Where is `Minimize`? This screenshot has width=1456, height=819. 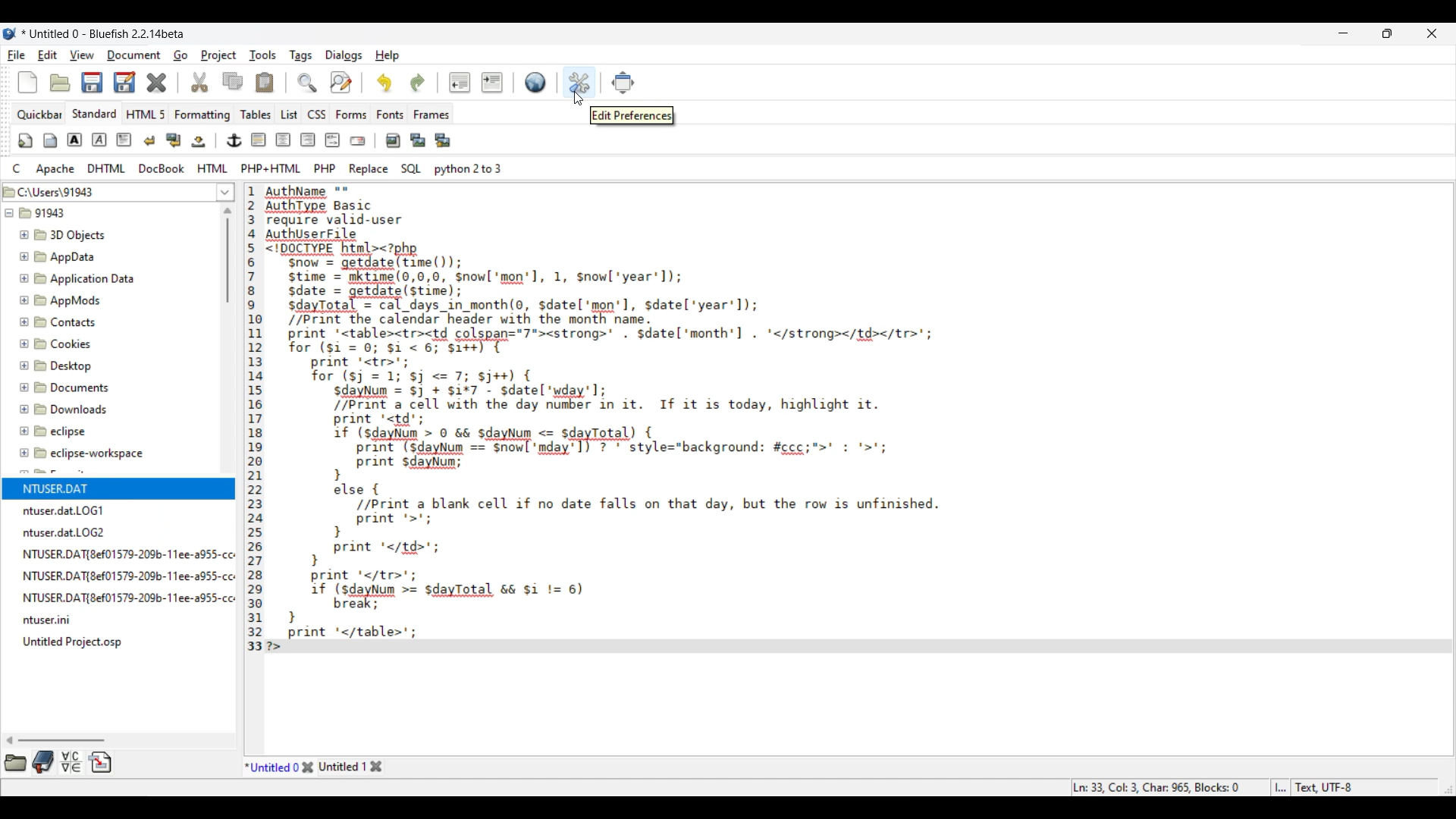 Minimize is located at coordinates (1344, 33).